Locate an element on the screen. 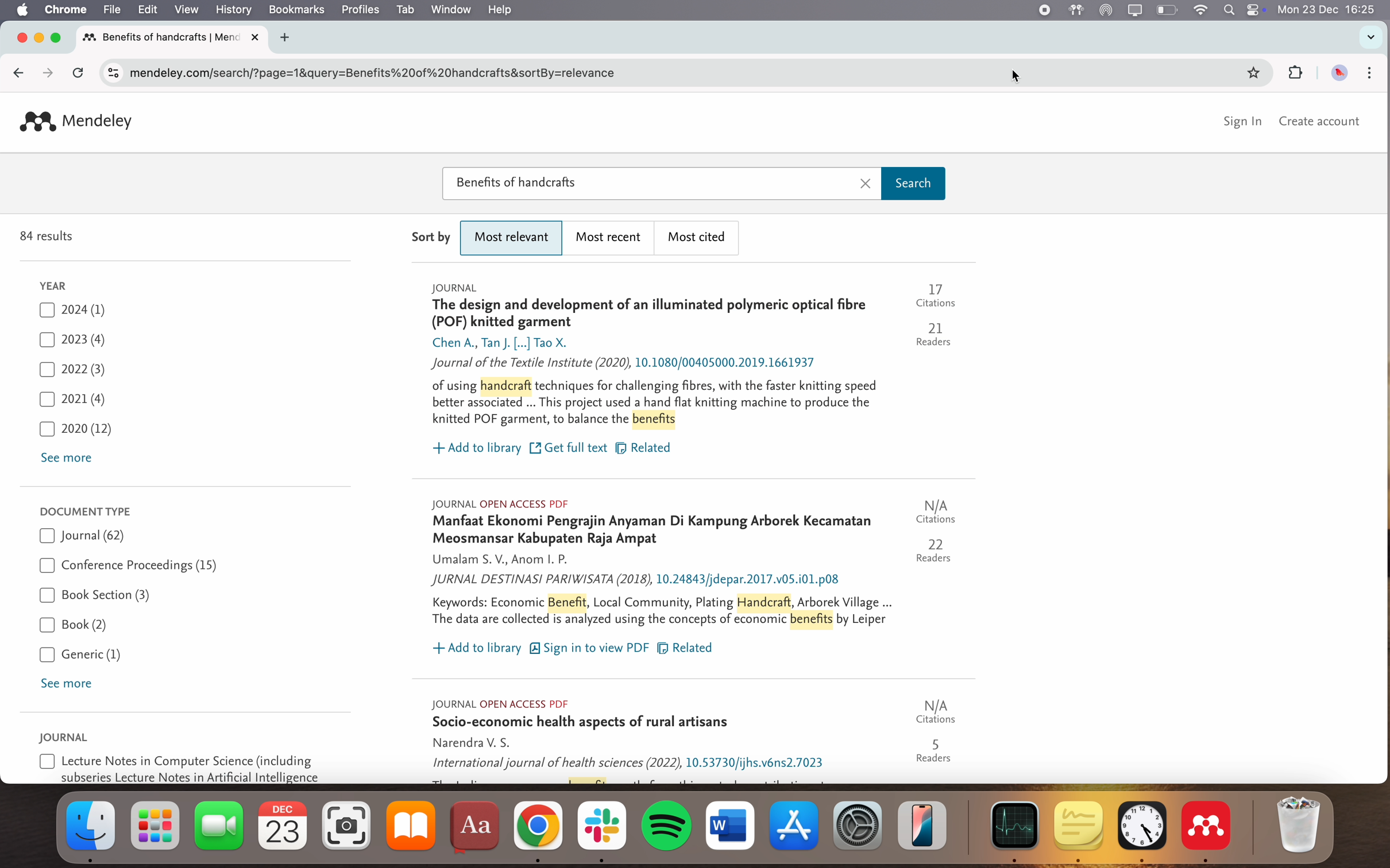  journal is located at coordinates (66, 737).